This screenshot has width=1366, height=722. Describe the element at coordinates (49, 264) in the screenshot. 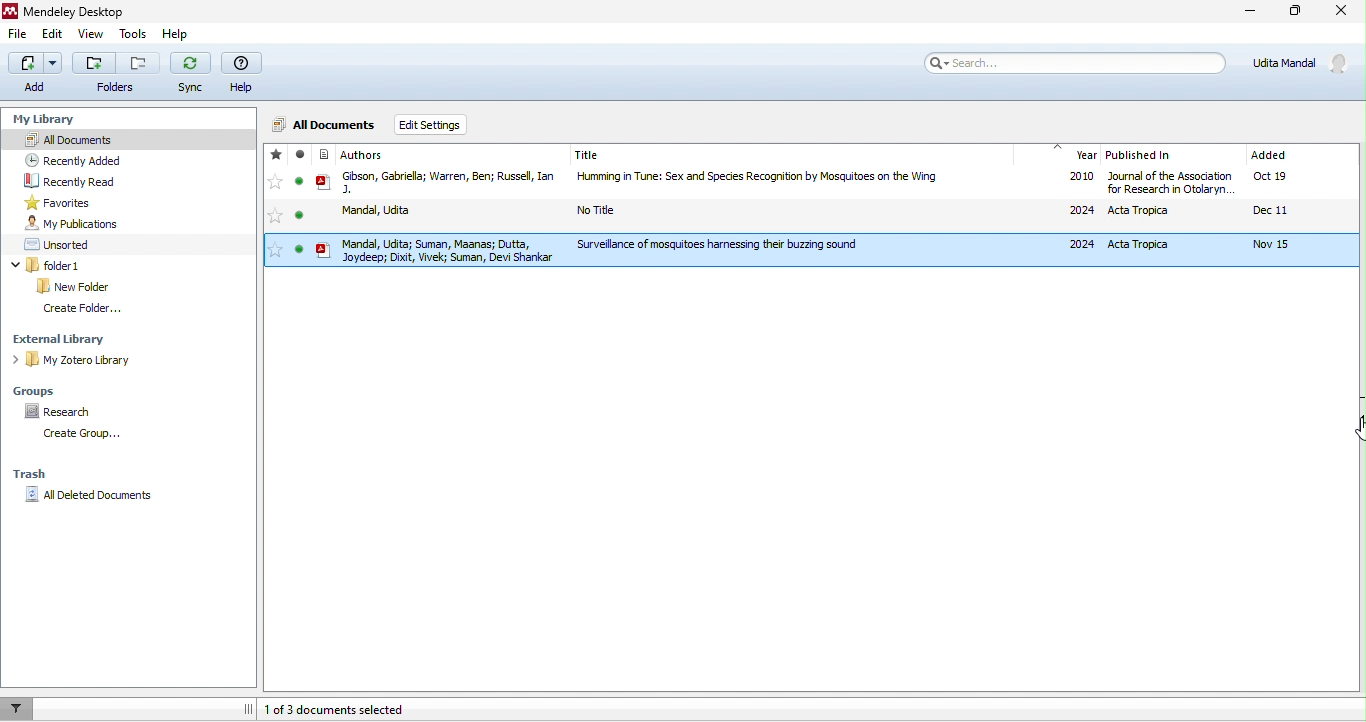

I see `folder 1` at that location.